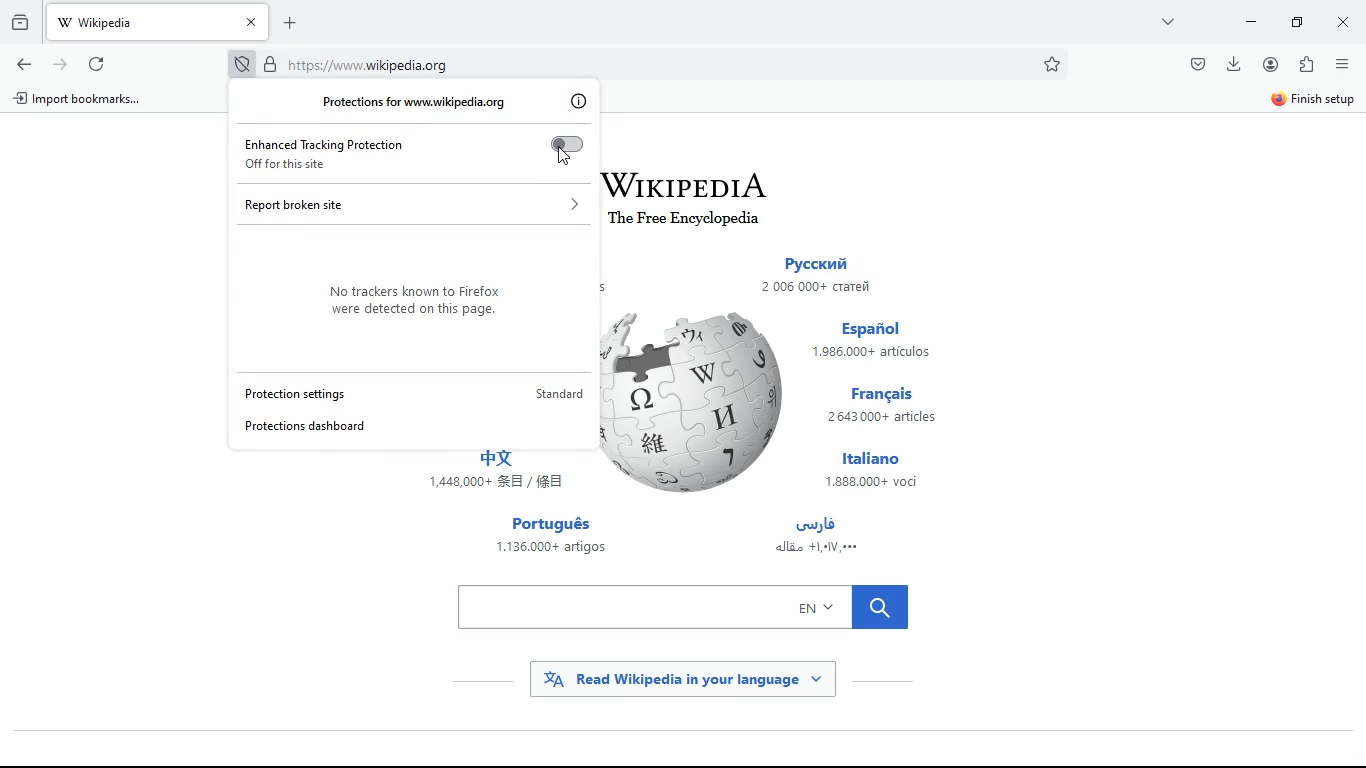 This screenshot has height=768, width=1366. What do you see at coordinates (22, 20) in the screenshot?
I see `hystoric` at bounding box center [22, 20].